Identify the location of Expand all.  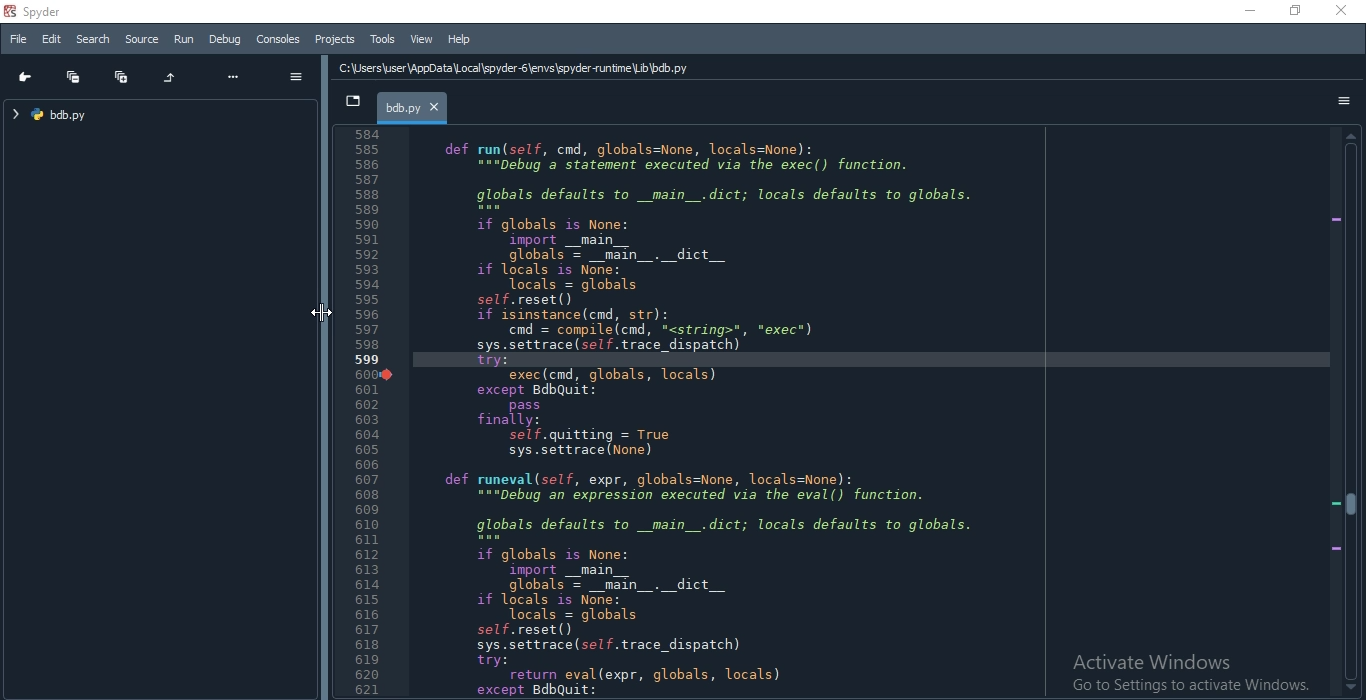
(122, 76).